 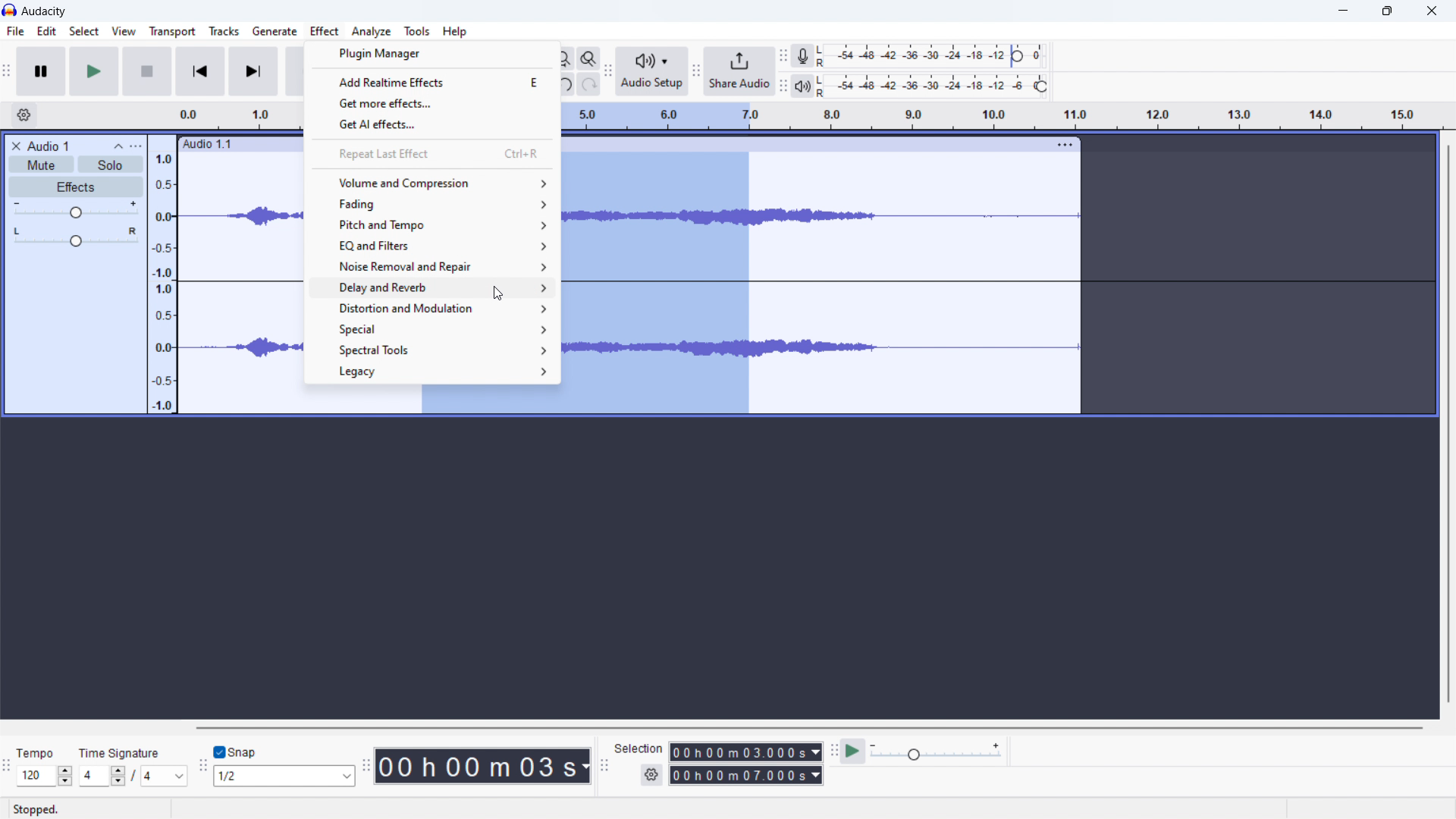 I want to click on 00 h 00 m 03.000s, so click(x=745, y=752).